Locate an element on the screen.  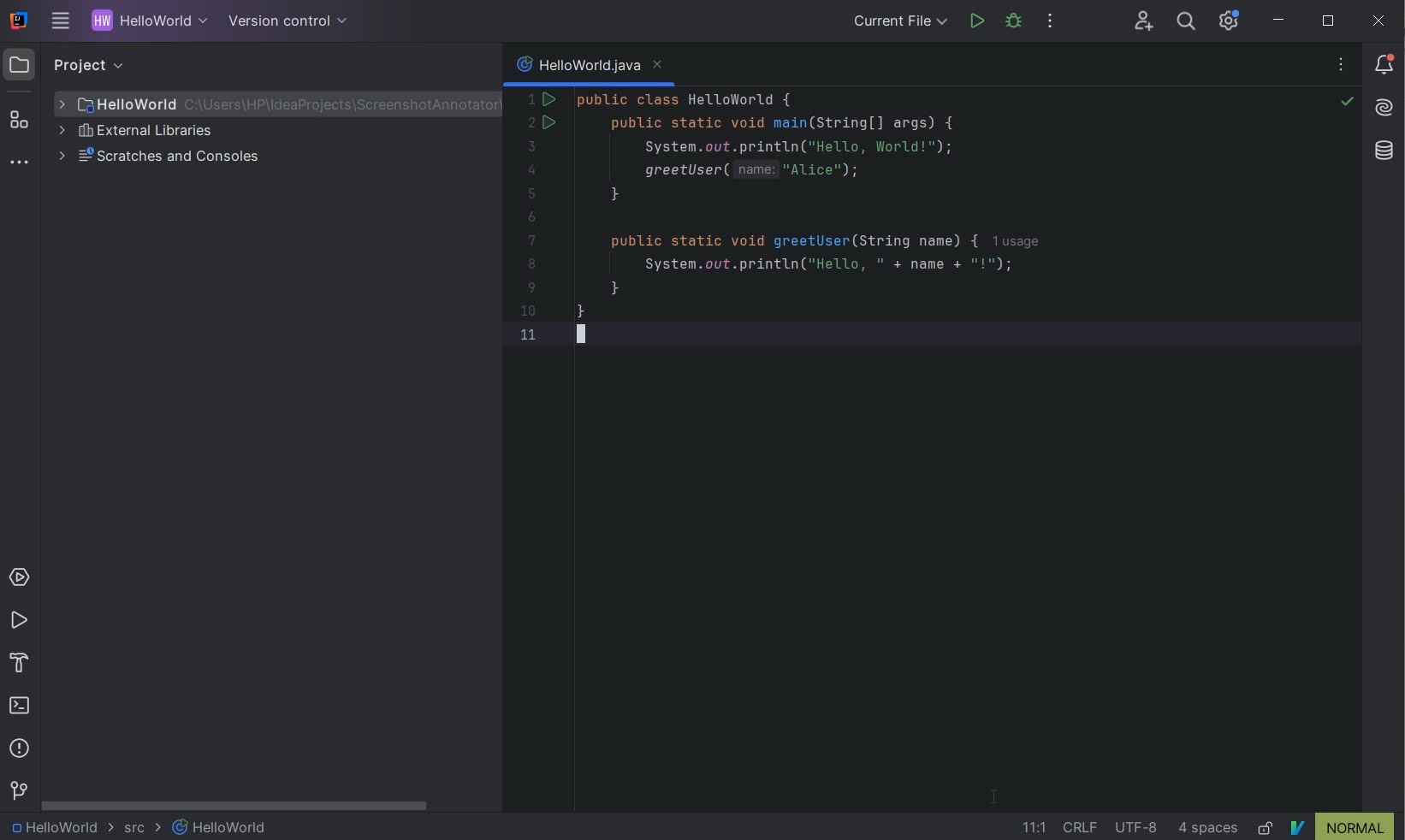
FILE NAME is located at coordinates (221, 827).